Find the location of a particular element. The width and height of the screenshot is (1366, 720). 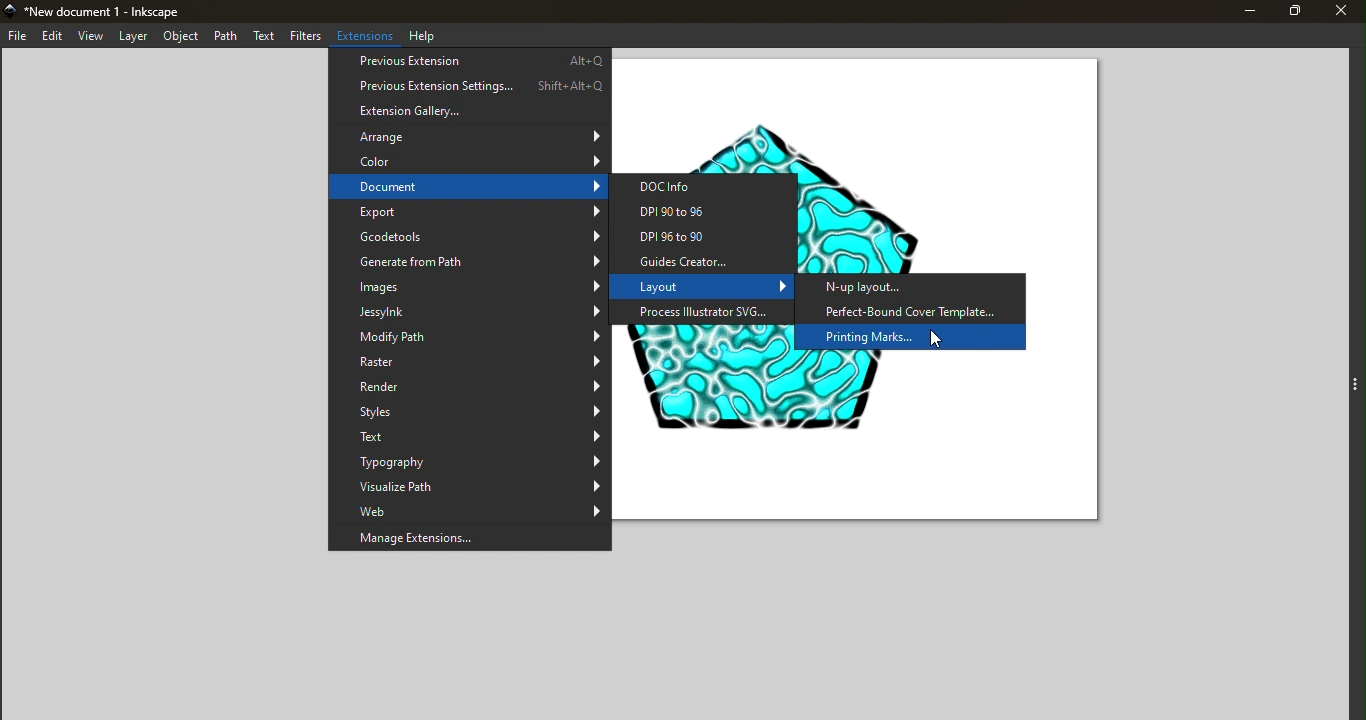

Layout is located at coordinates (705, 287).